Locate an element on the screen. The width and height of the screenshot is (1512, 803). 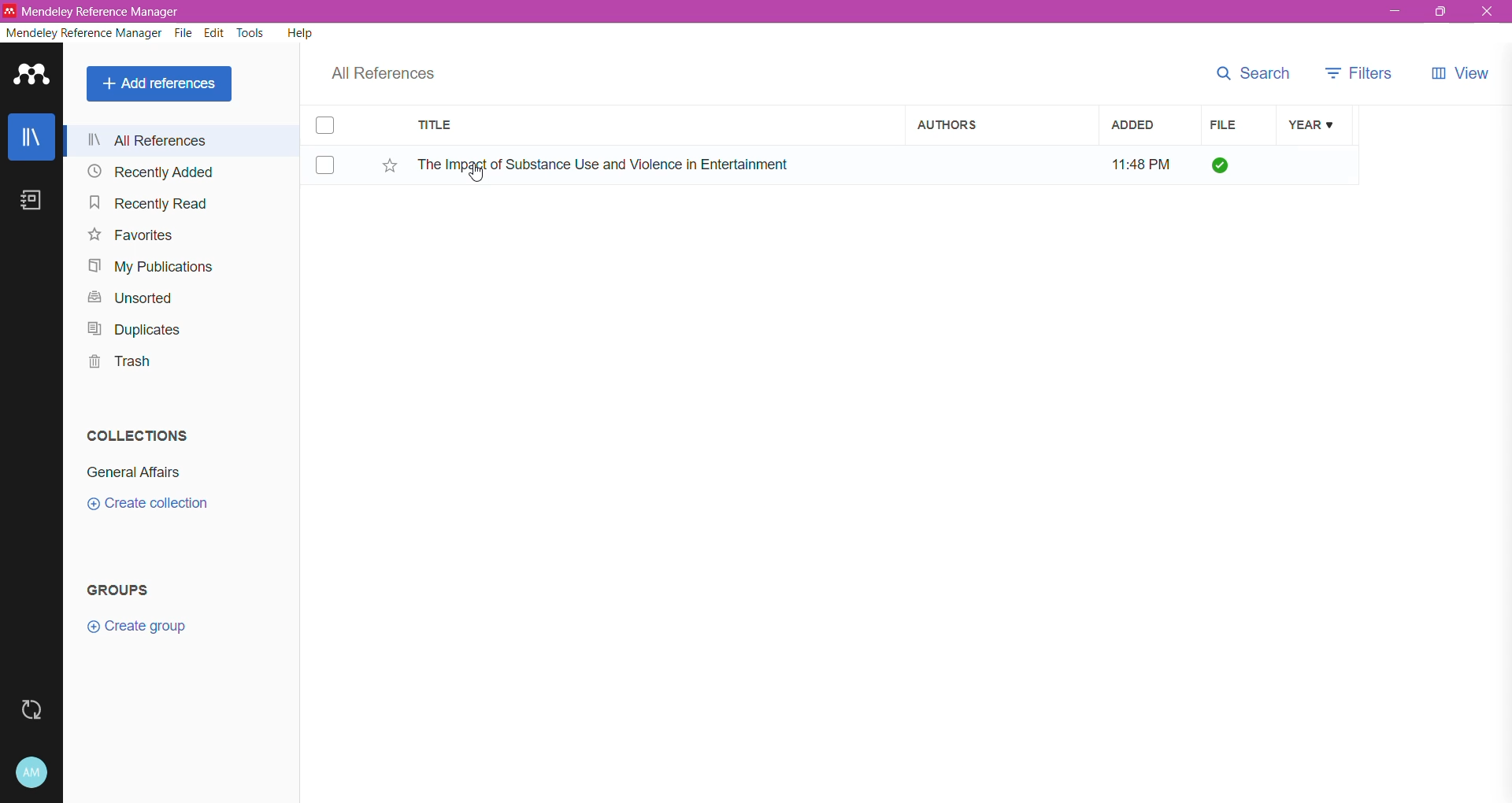
Application Name is located at coordinates (99, 10).